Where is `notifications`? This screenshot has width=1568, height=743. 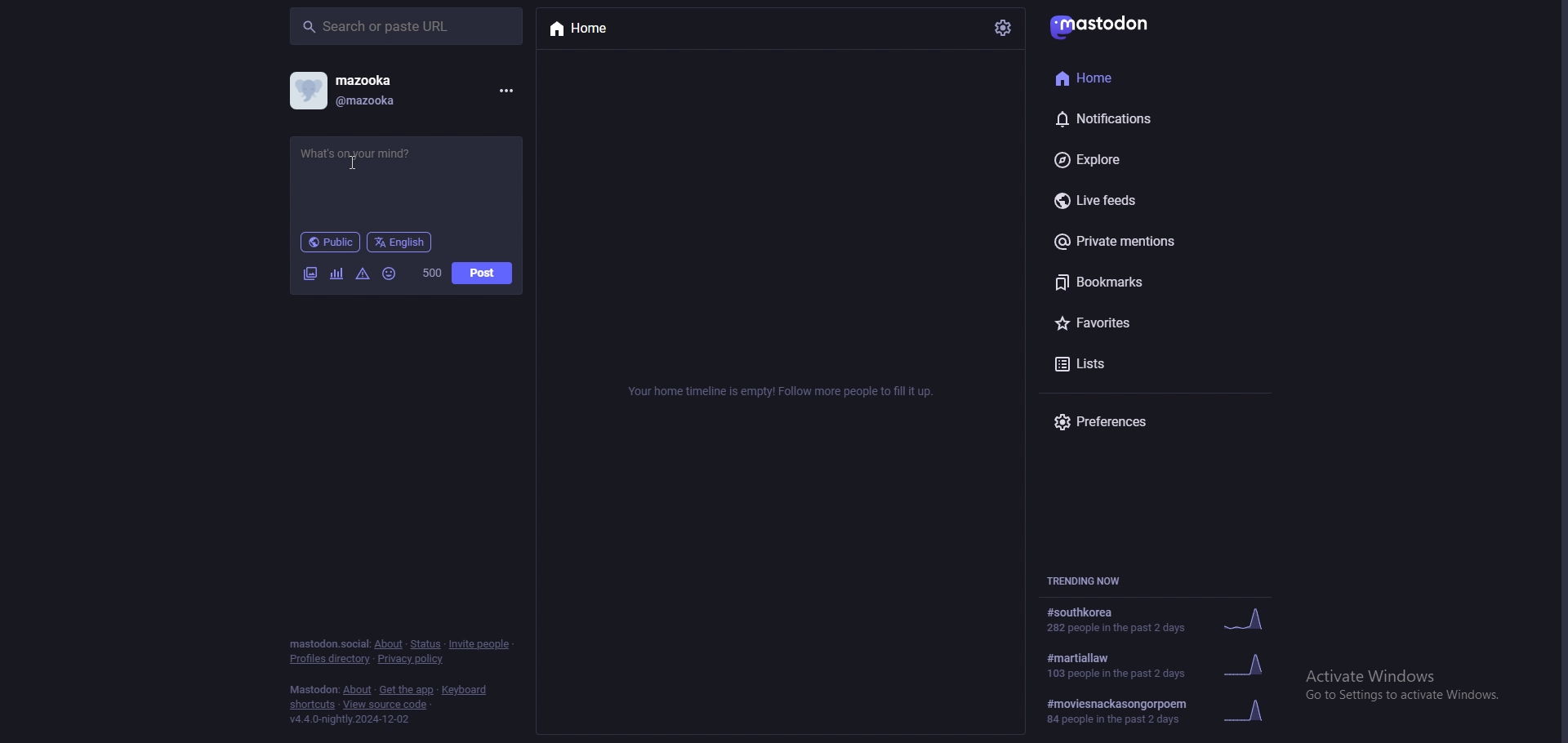 notifications is located at coordinates (1132, 117).